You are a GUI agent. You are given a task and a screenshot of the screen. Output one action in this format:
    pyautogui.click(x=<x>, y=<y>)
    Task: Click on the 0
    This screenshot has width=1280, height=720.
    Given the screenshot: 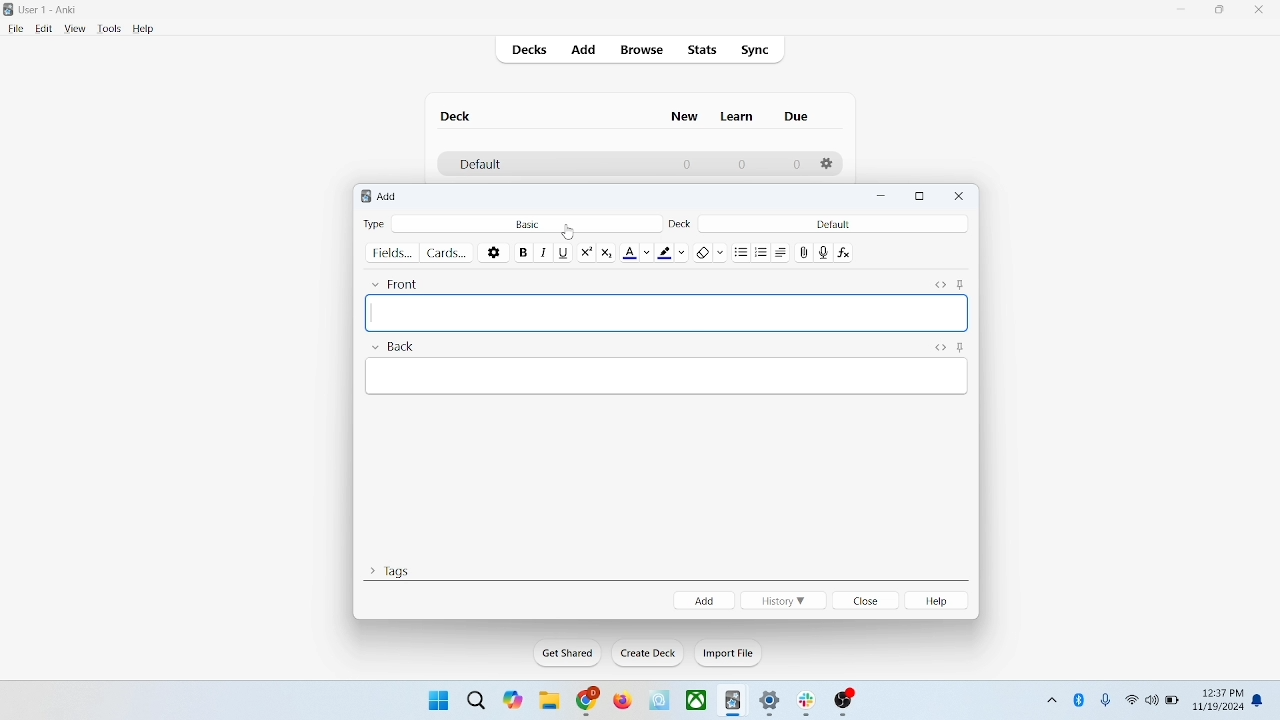 What is the action you would take?
    pyautogui.click(x=740, y=164)
    